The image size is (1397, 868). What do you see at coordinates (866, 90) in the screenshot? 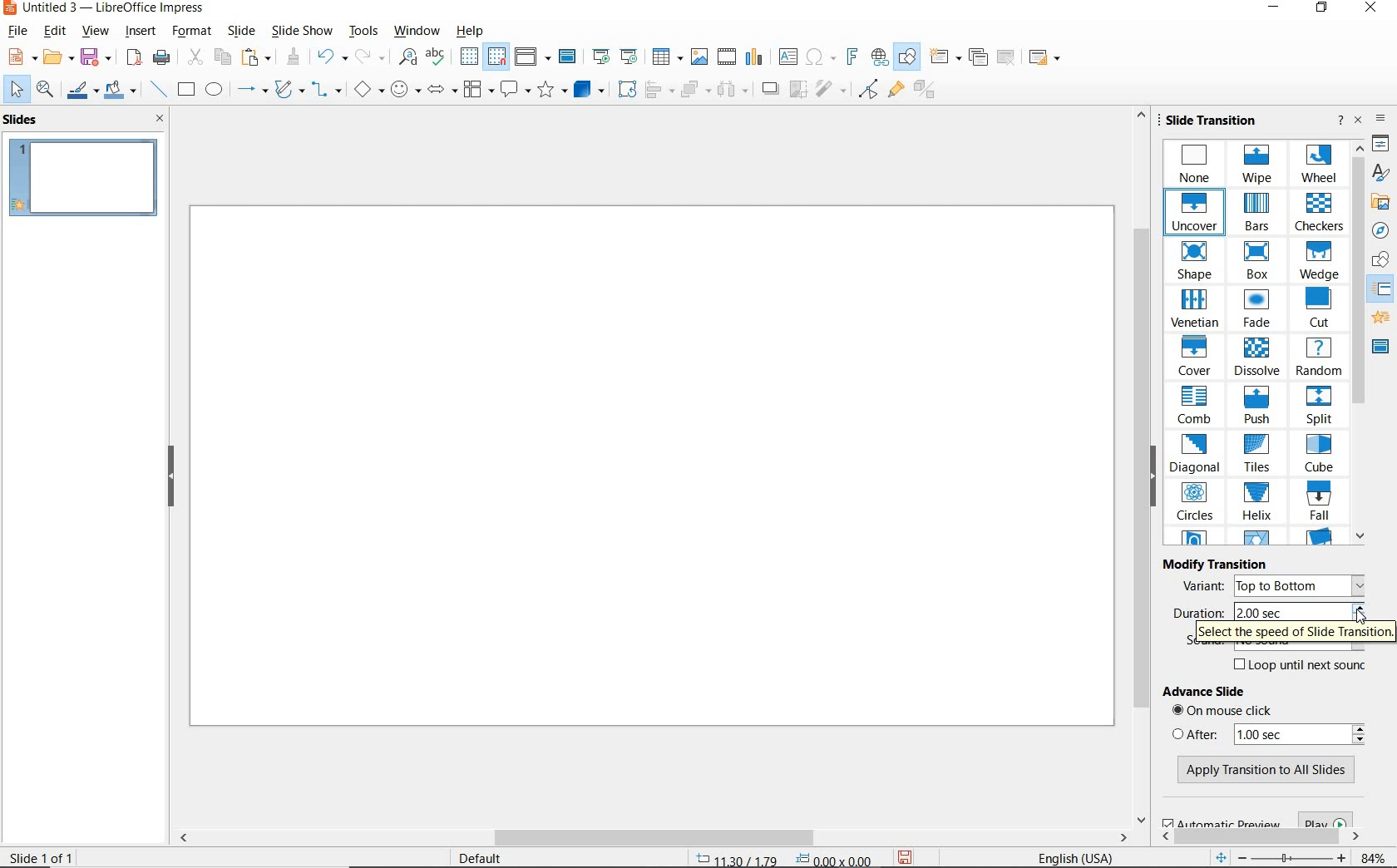
I see `TOGGLE POINT EDIT MODE` at bounding box center [866, 90].